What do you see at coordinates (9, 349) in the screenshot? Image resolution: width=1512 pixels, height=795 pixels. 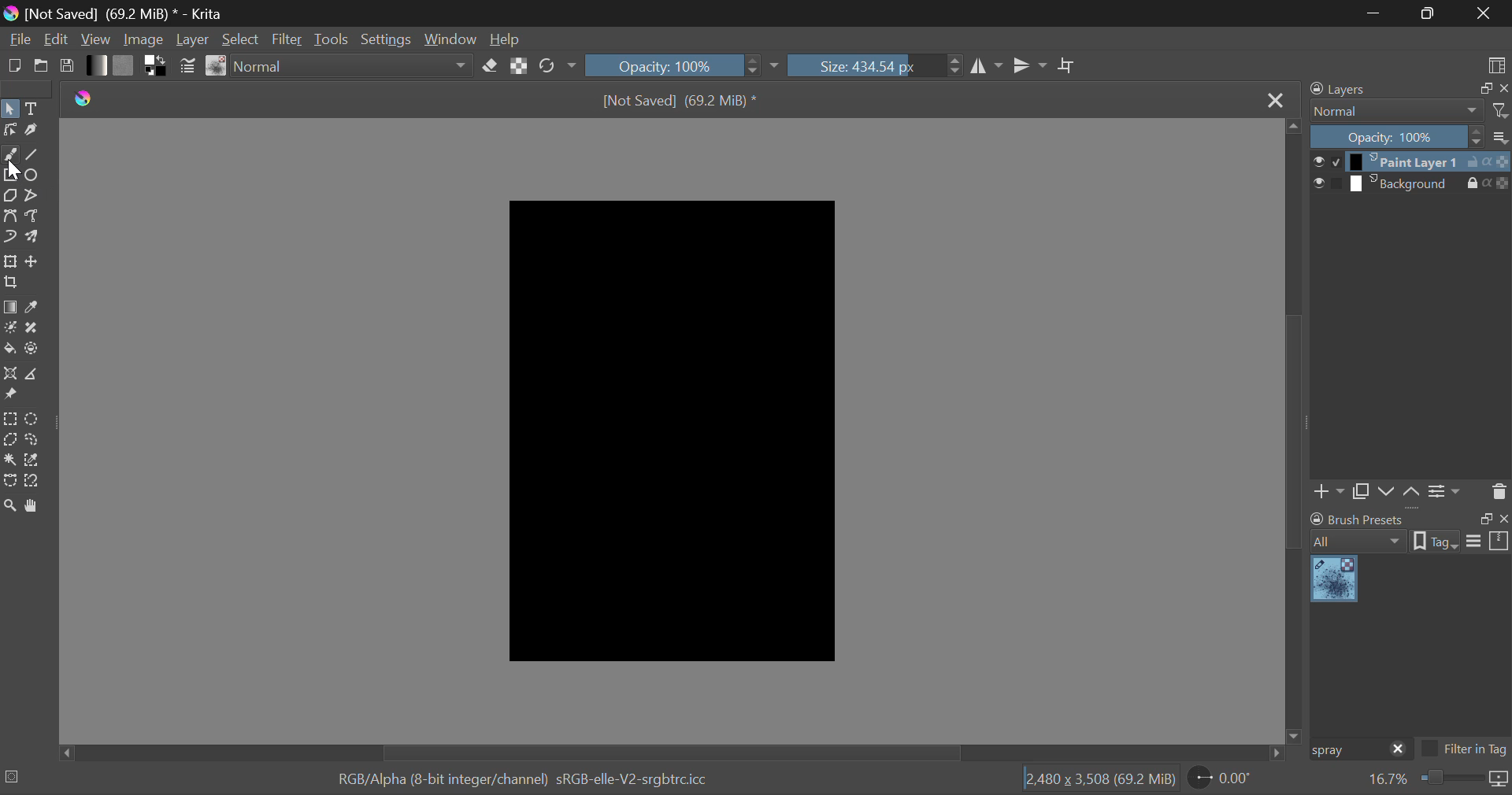 I see `Fill` at bounding box center [9, 349].